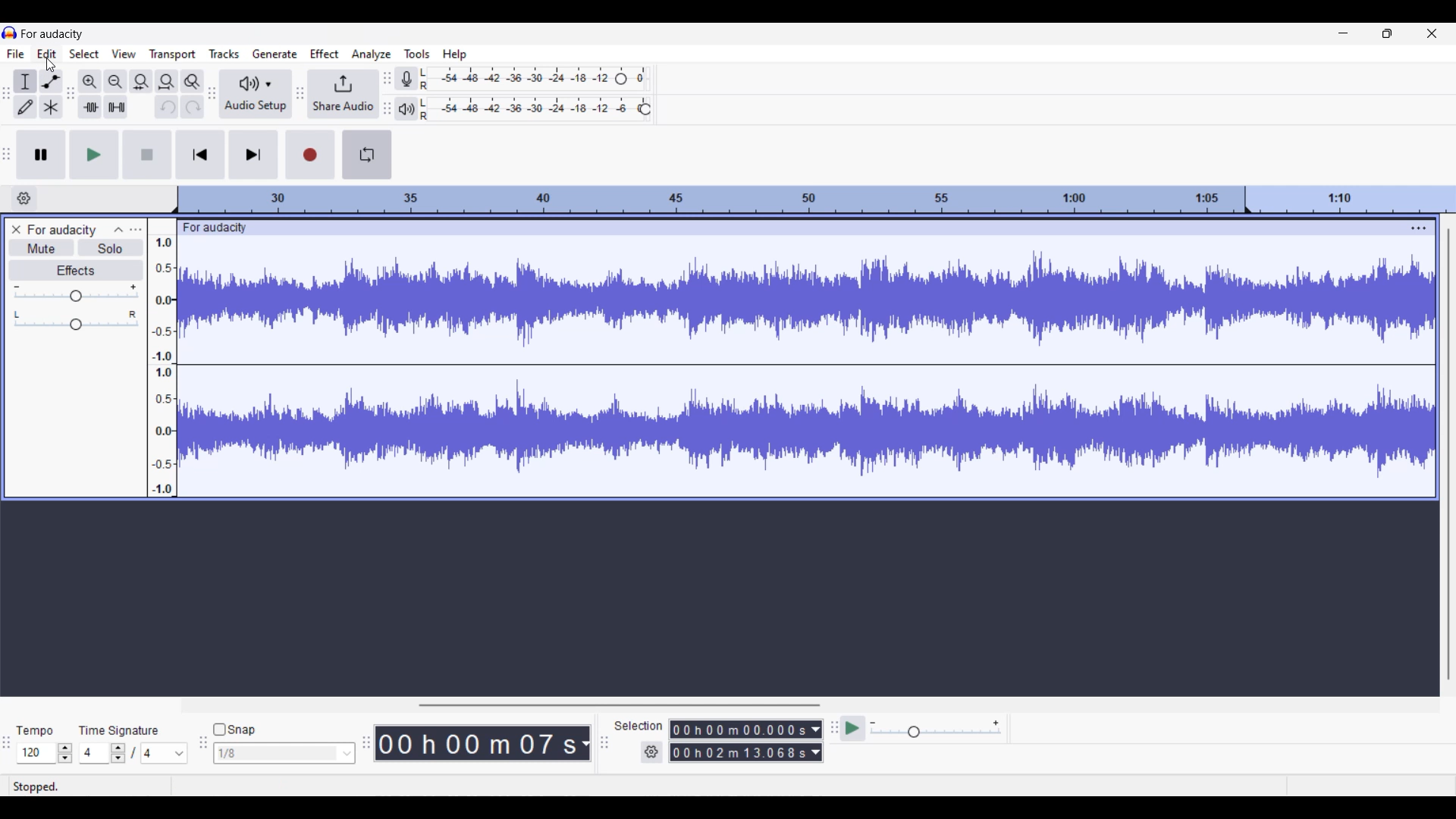  What do you see at coordinates (39, 784) in the screenshot?
I see `stopped` at bounding box center [39, 784].